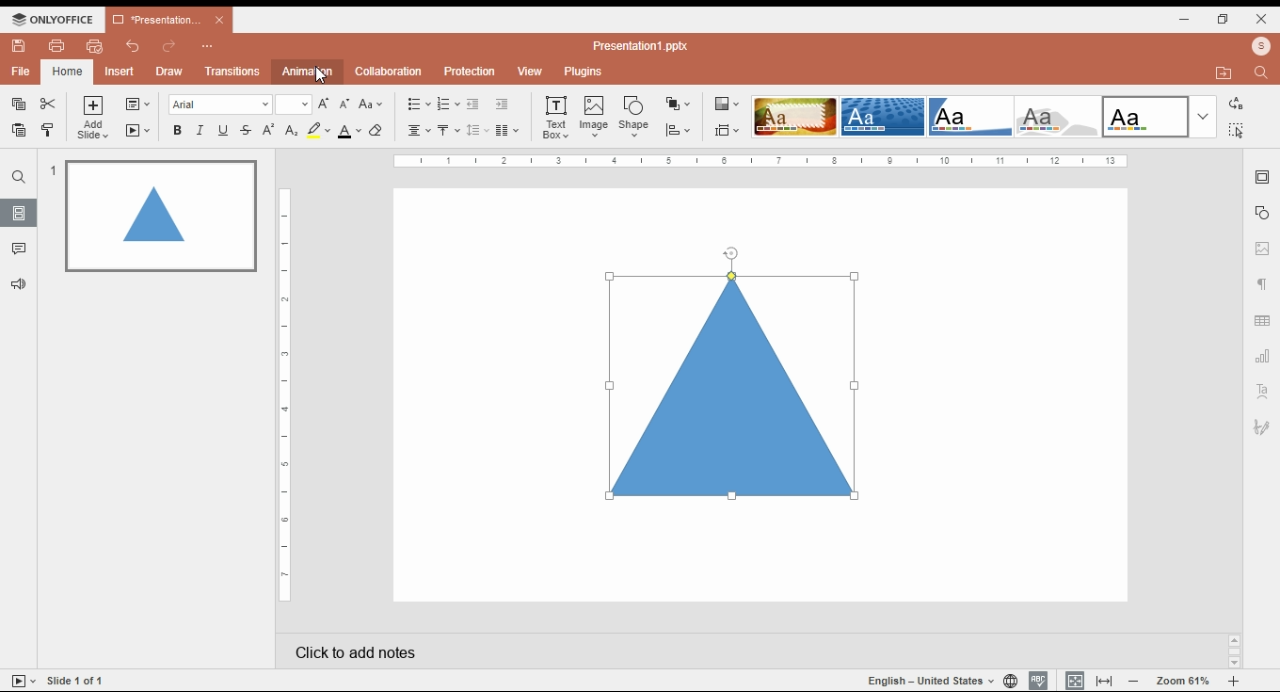 This screenshot has height=692, width=1280. I want to click on font color, so click(350, 132).